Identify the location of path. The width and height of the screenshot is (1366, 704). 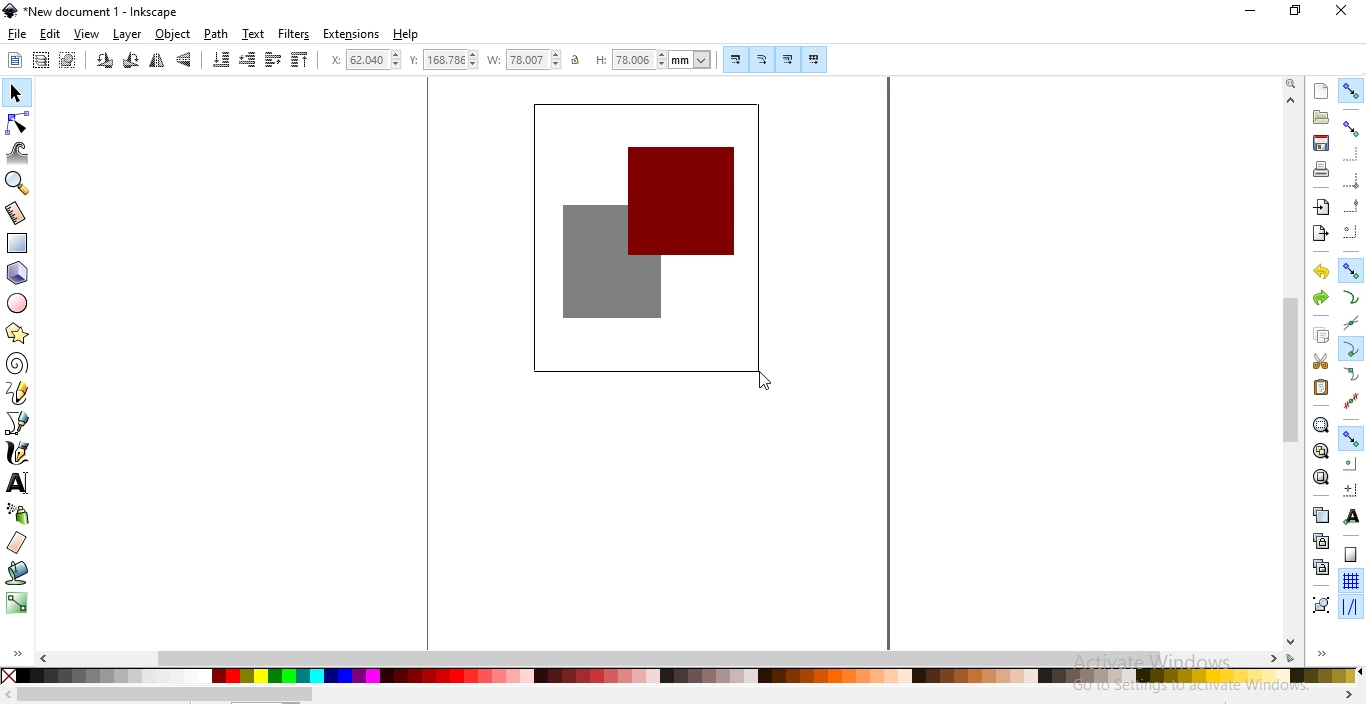
(217, 34).